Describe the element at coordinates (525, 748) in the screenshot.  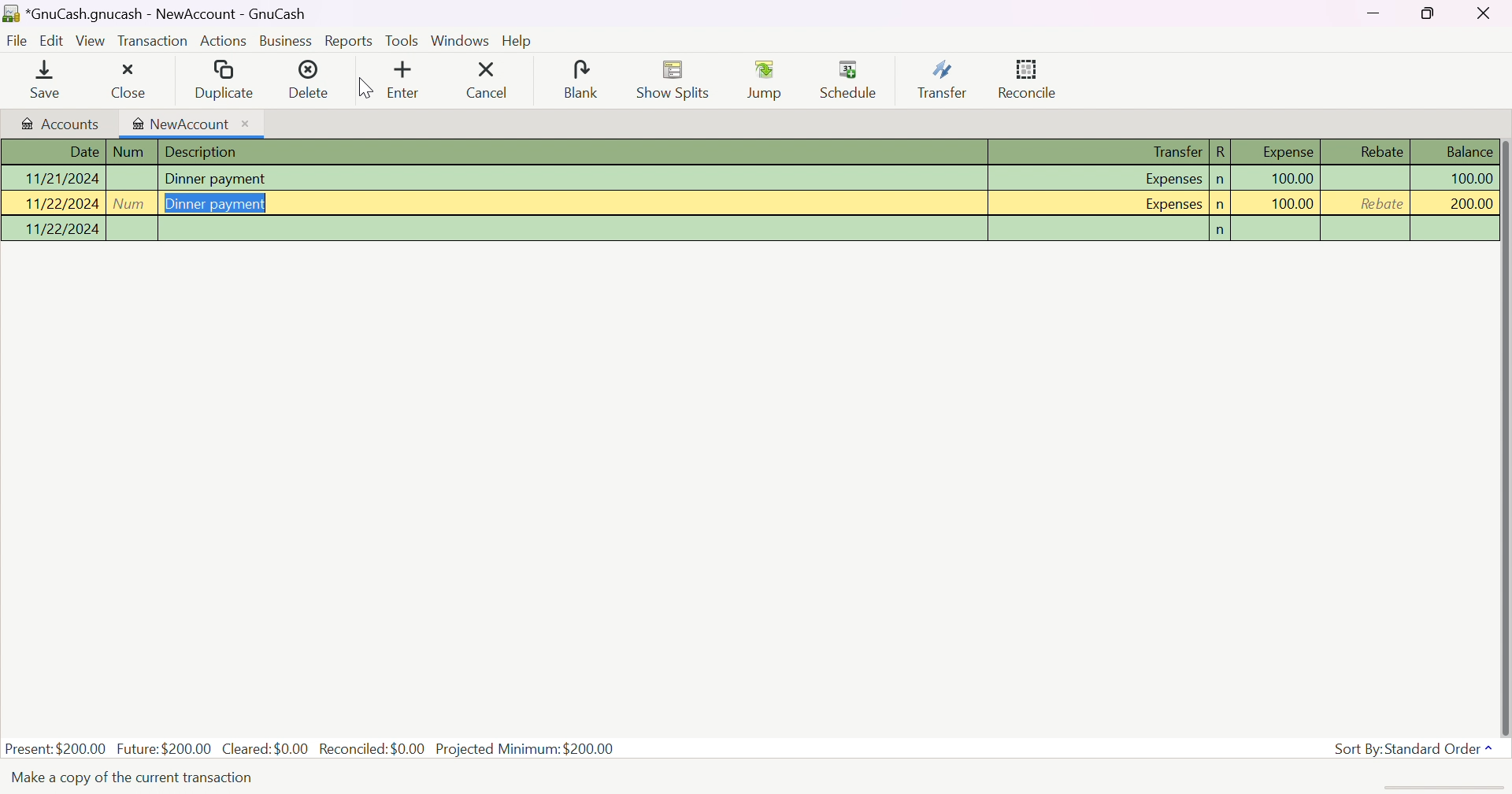
I see `Projected Minimum: $200.00` at that location.